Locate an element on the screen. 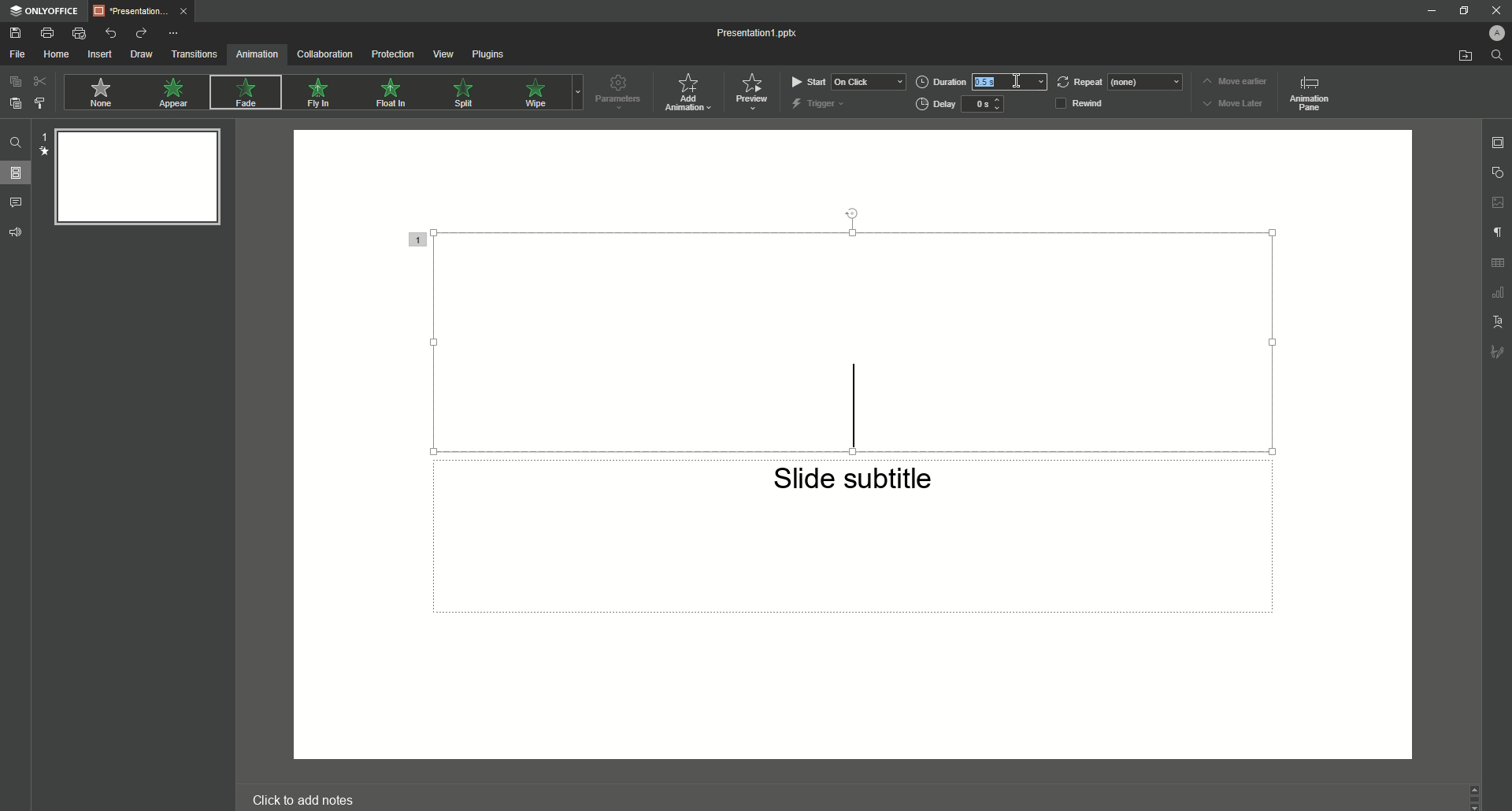 The width and height of the screenshot is (1512, 811). Draw is located at coordinates (143, 54).